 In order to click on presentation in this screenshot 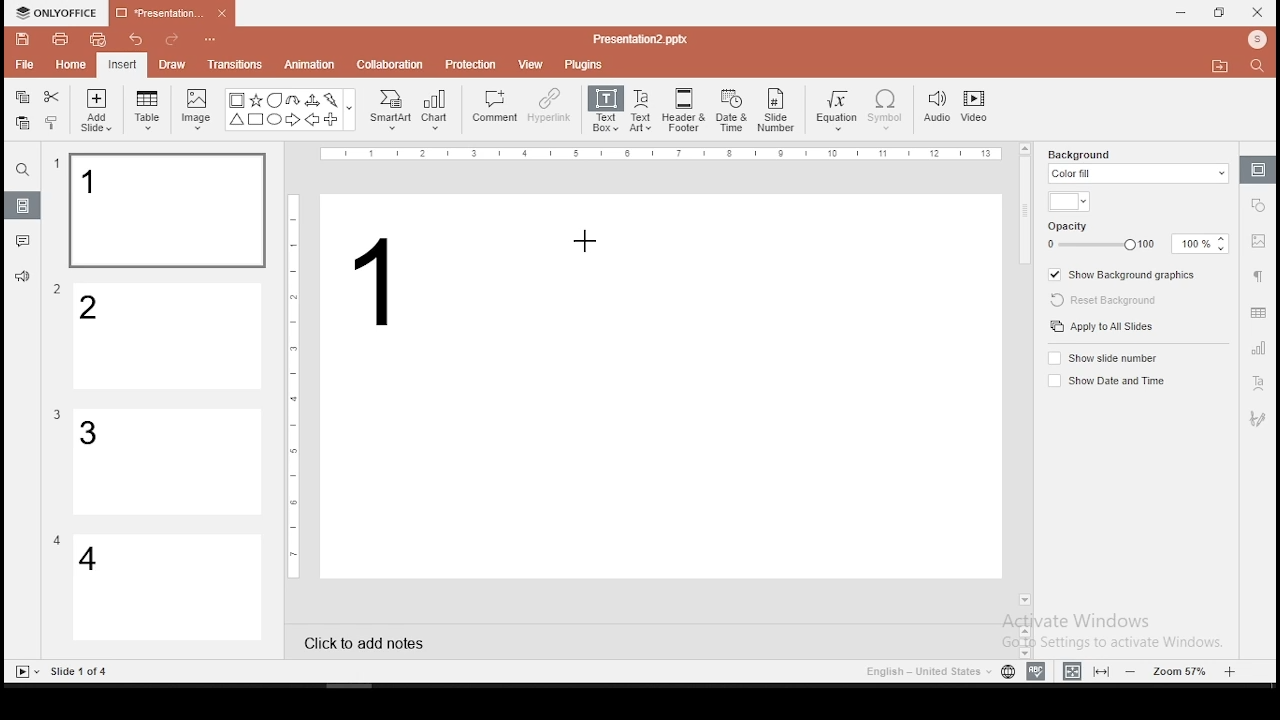, I will do `click(169, 15)`.